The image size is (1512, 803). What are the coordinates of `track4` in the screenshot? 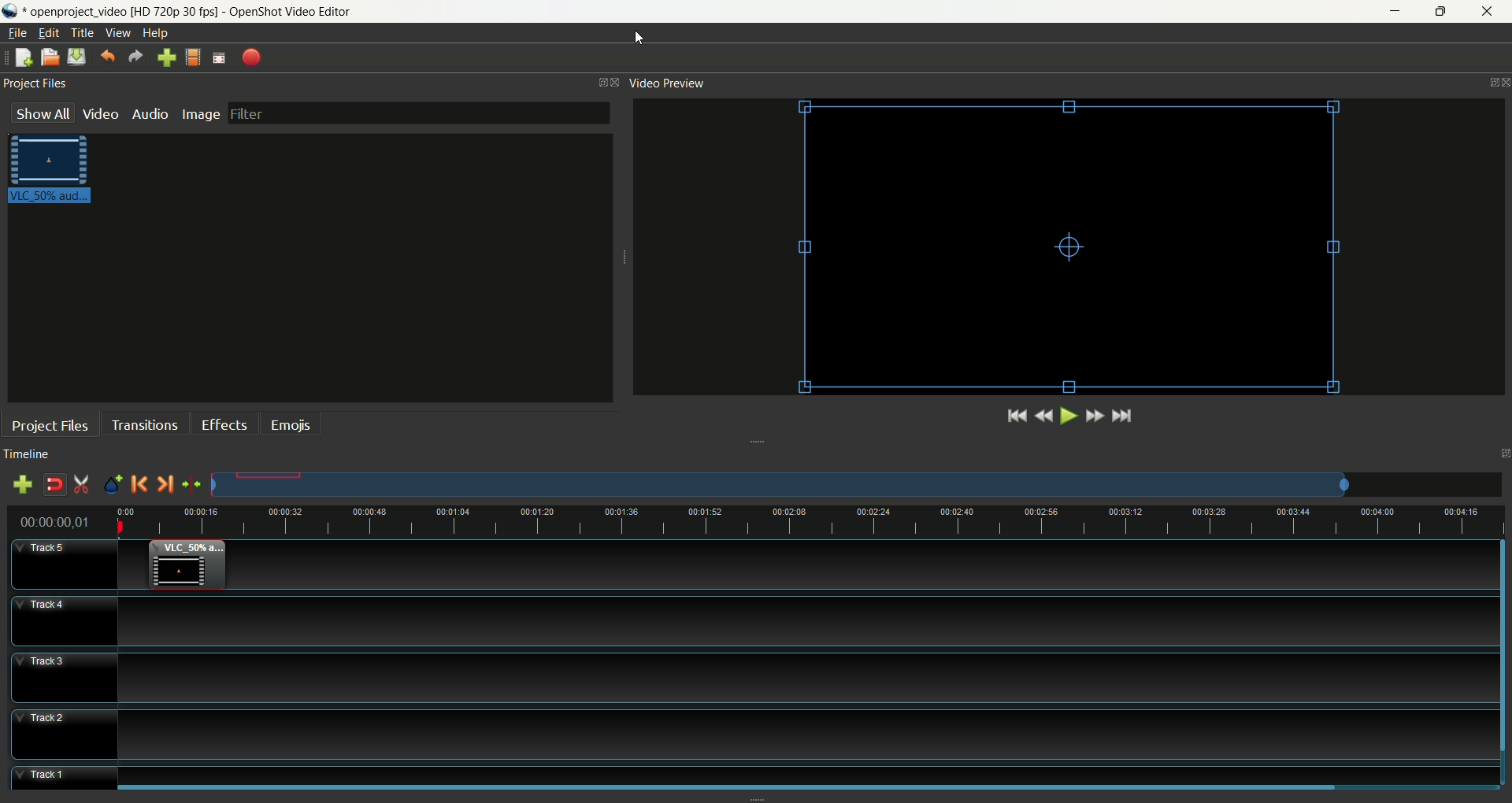 It's located at (754, 620).